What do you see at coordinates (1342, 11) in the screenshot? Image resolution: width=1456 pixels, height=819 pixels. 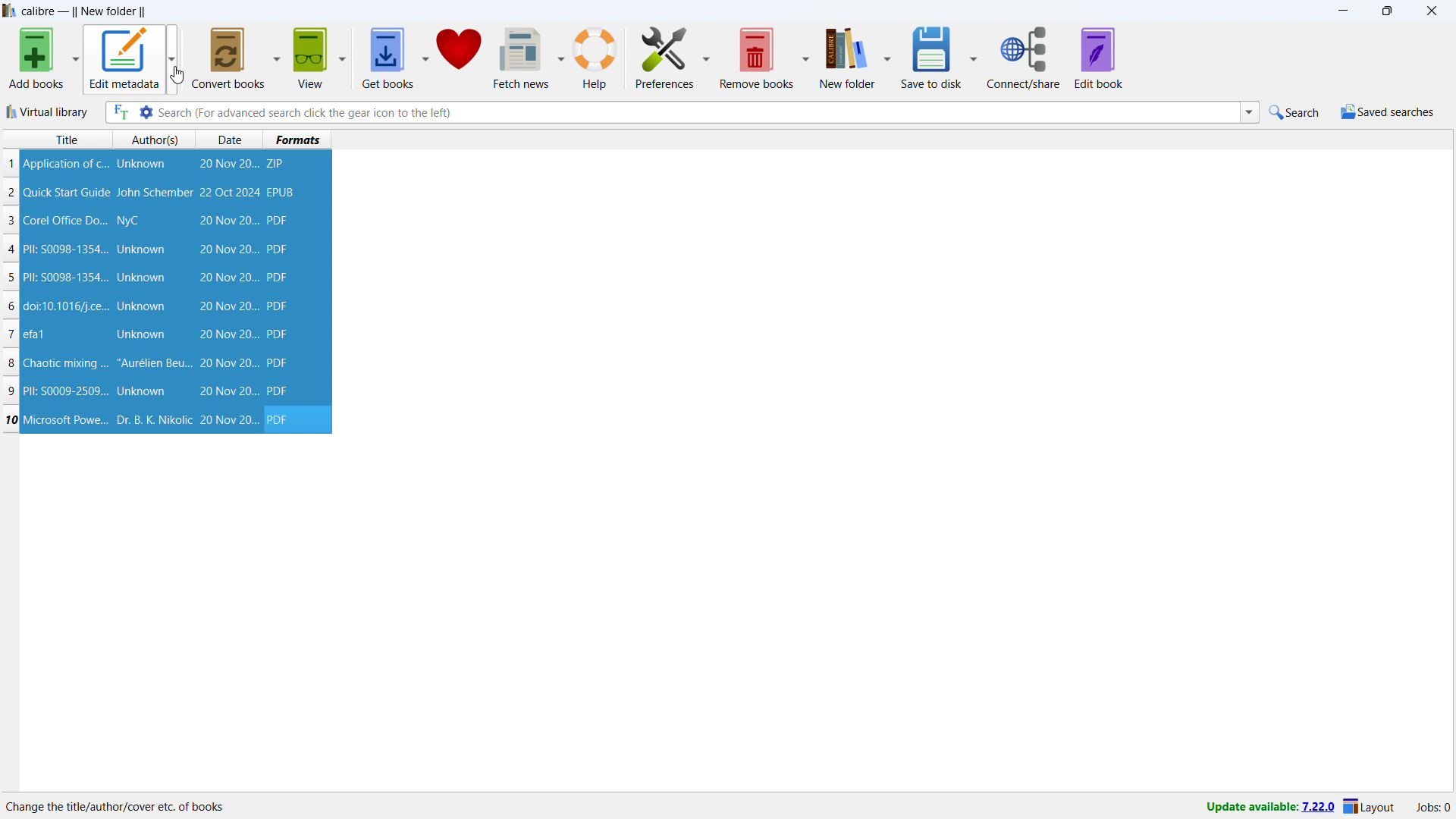 I see `minimize` at bounding box center [1342, 11].